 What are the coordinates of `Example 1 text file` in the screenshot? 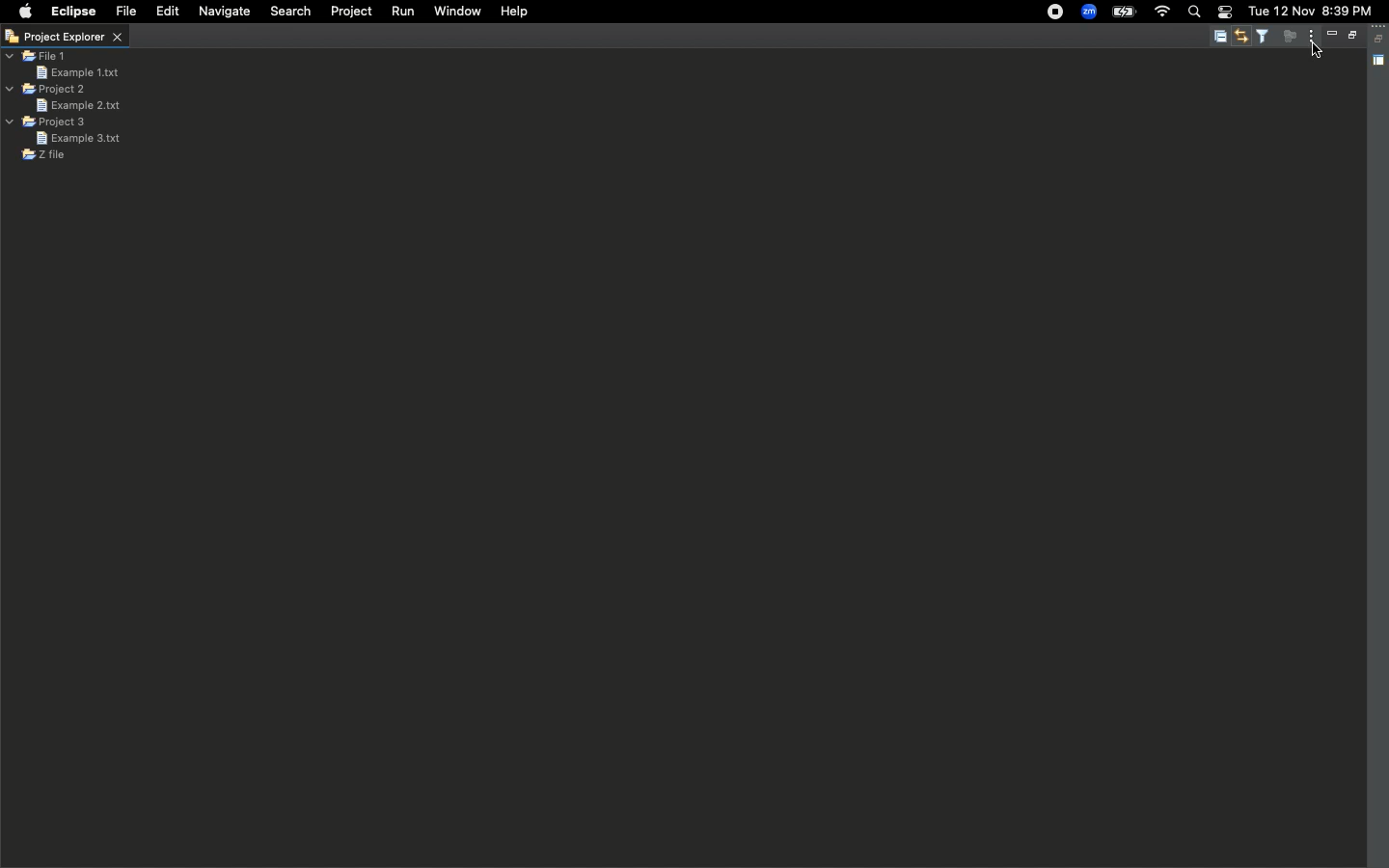 It's located at (77, 71).